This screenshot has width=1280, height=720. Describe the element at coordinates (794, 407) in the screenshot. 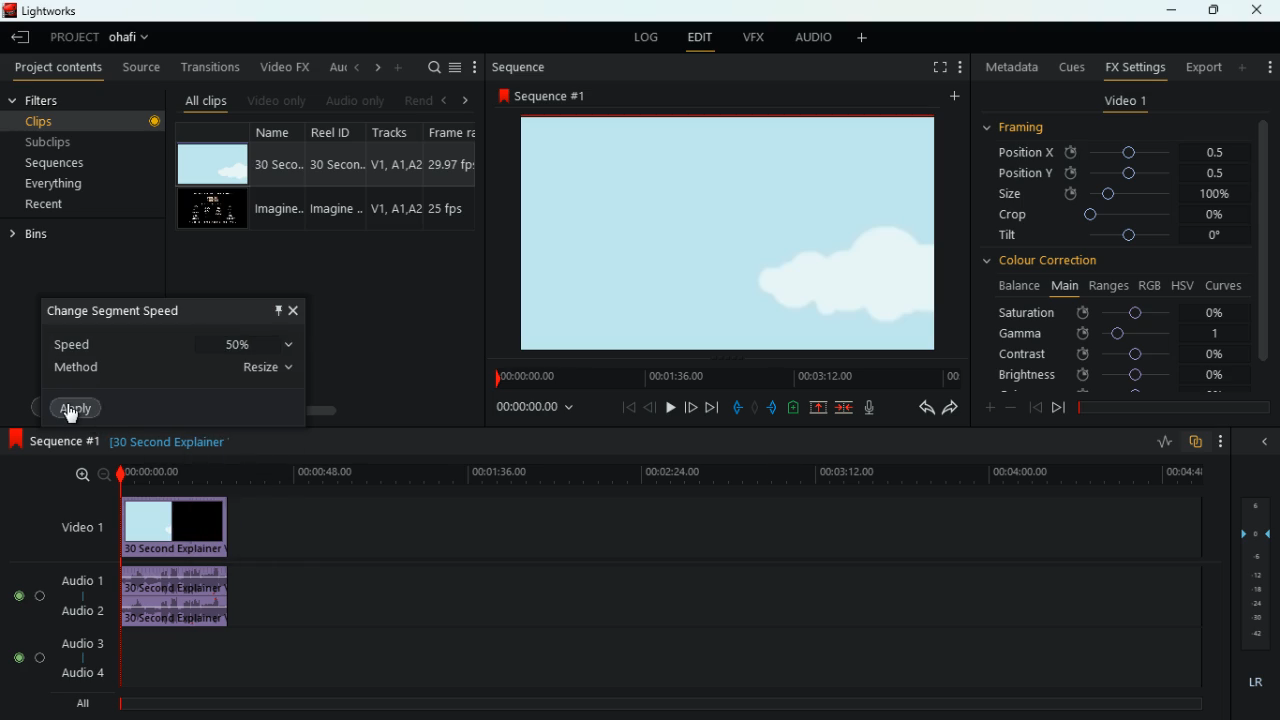

I see `charge` at that location.